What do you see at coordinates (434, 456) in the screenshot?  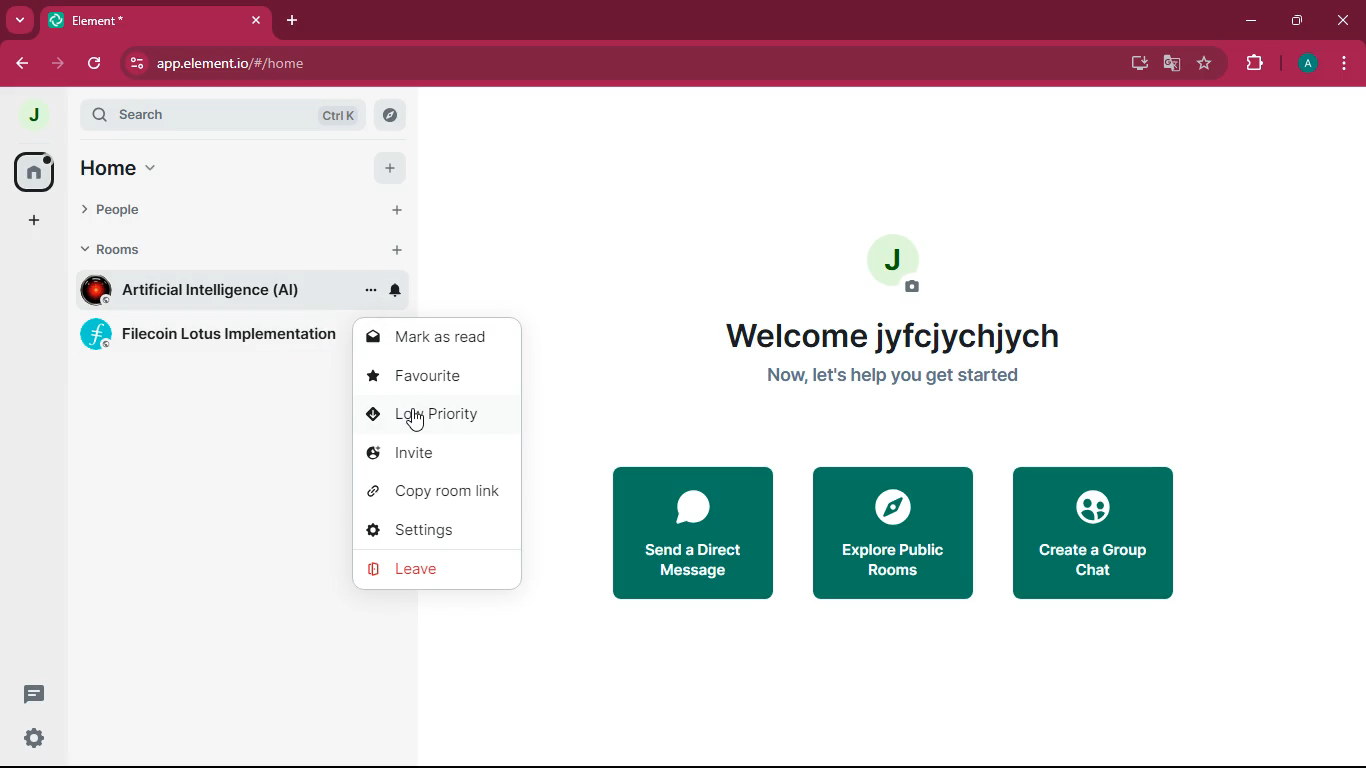 I see `invite` at bounding box center [434, 456].